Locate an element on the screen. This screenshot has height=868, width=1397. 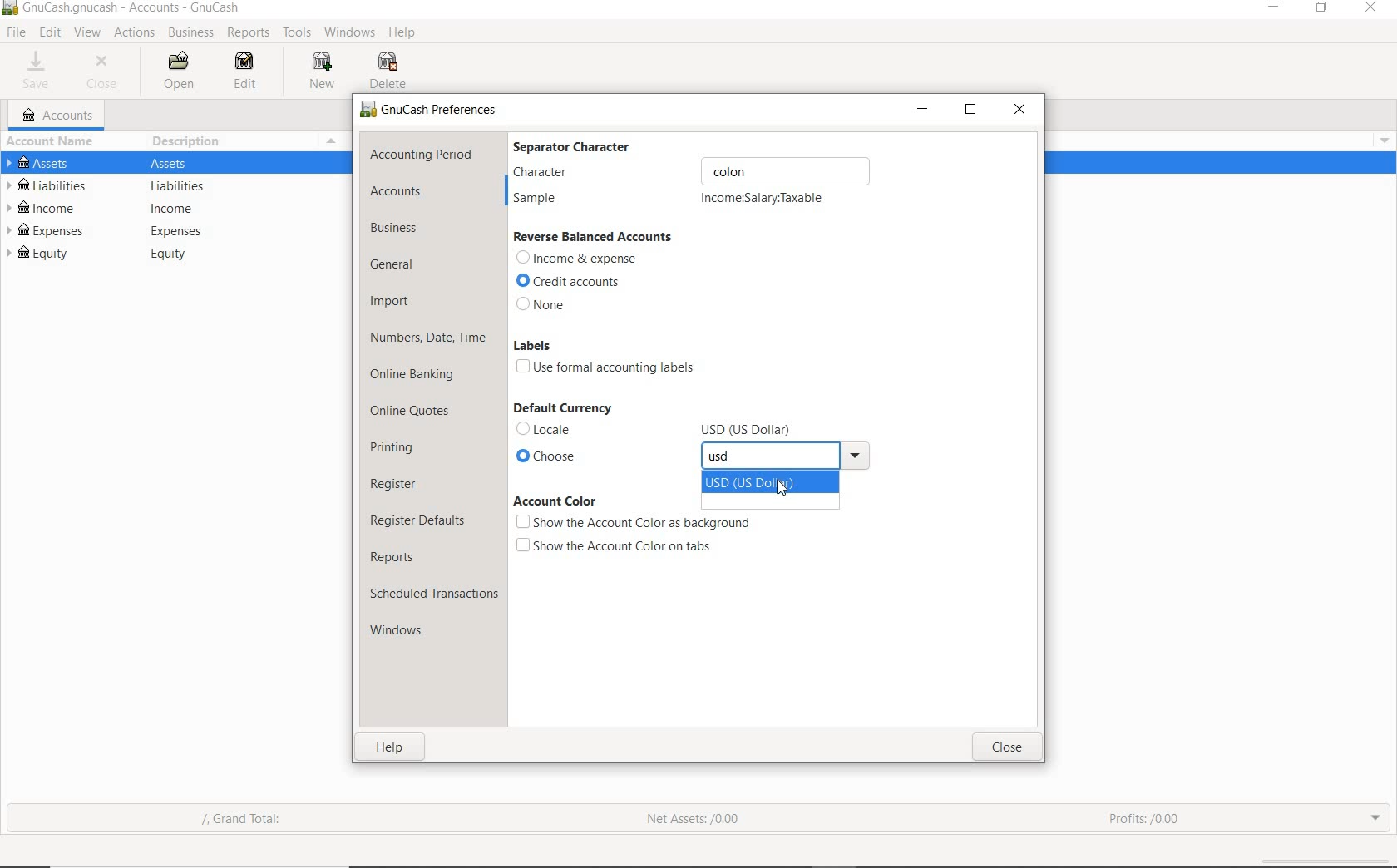
restore down is located at coordinates (971, 111).